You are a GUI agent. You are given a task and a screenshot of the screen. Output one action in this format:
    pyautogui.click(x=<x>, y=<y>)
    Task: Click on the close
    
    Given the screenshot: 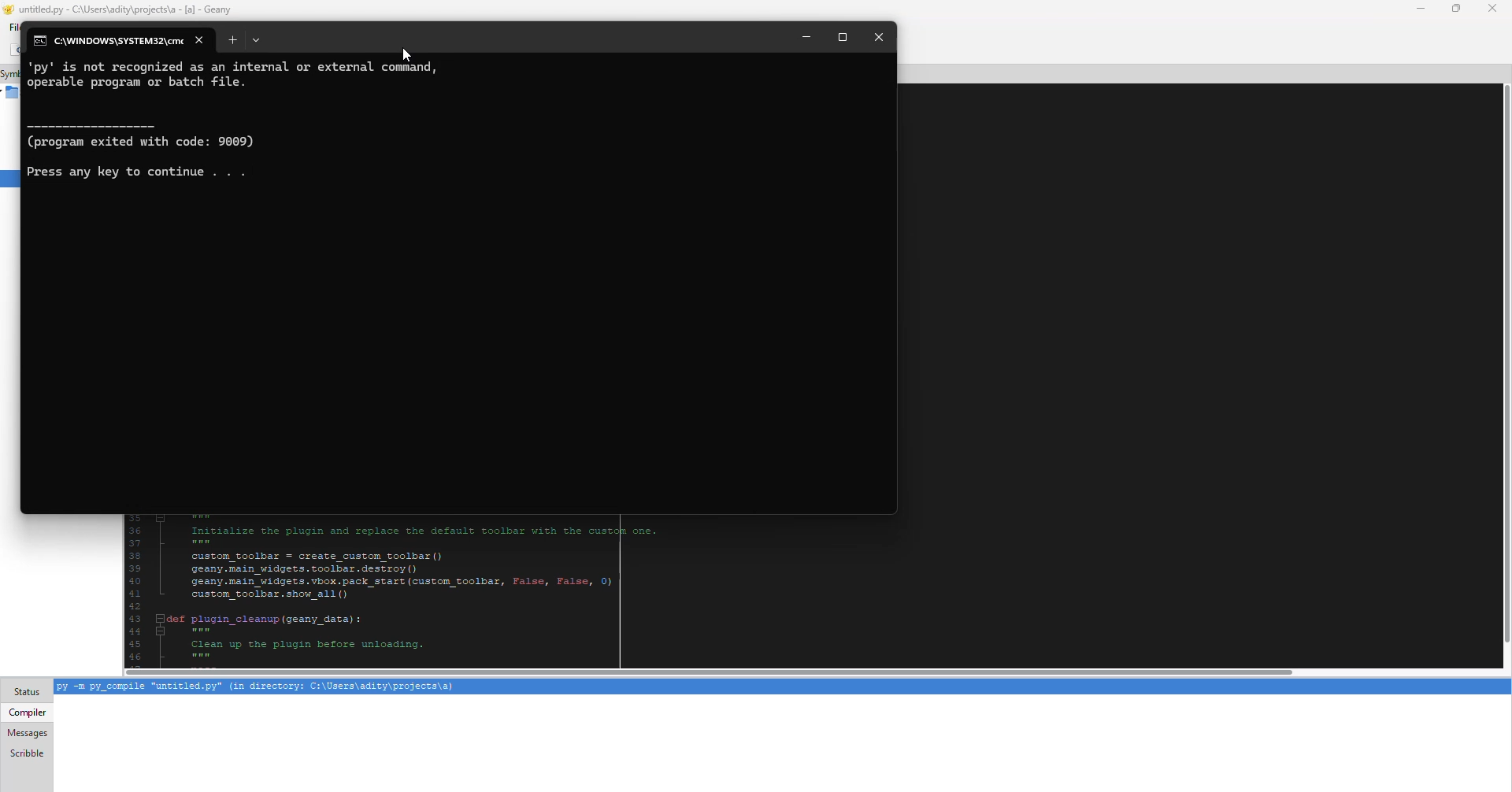 What is the action you would take?
    pyautogui.click(x=200, y=39)
    